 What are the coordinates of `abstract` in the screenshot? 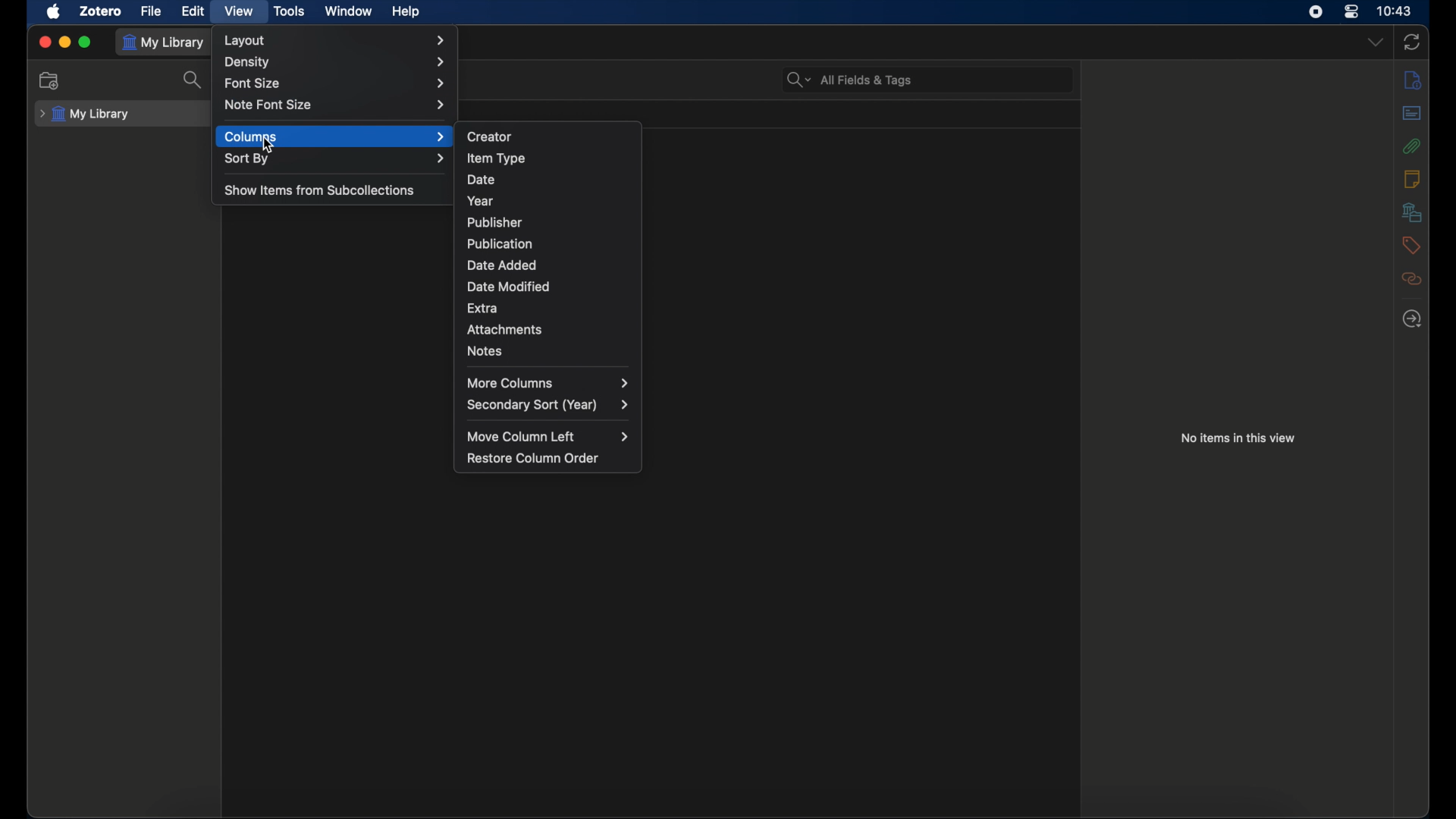 It's located at (1411, 112).